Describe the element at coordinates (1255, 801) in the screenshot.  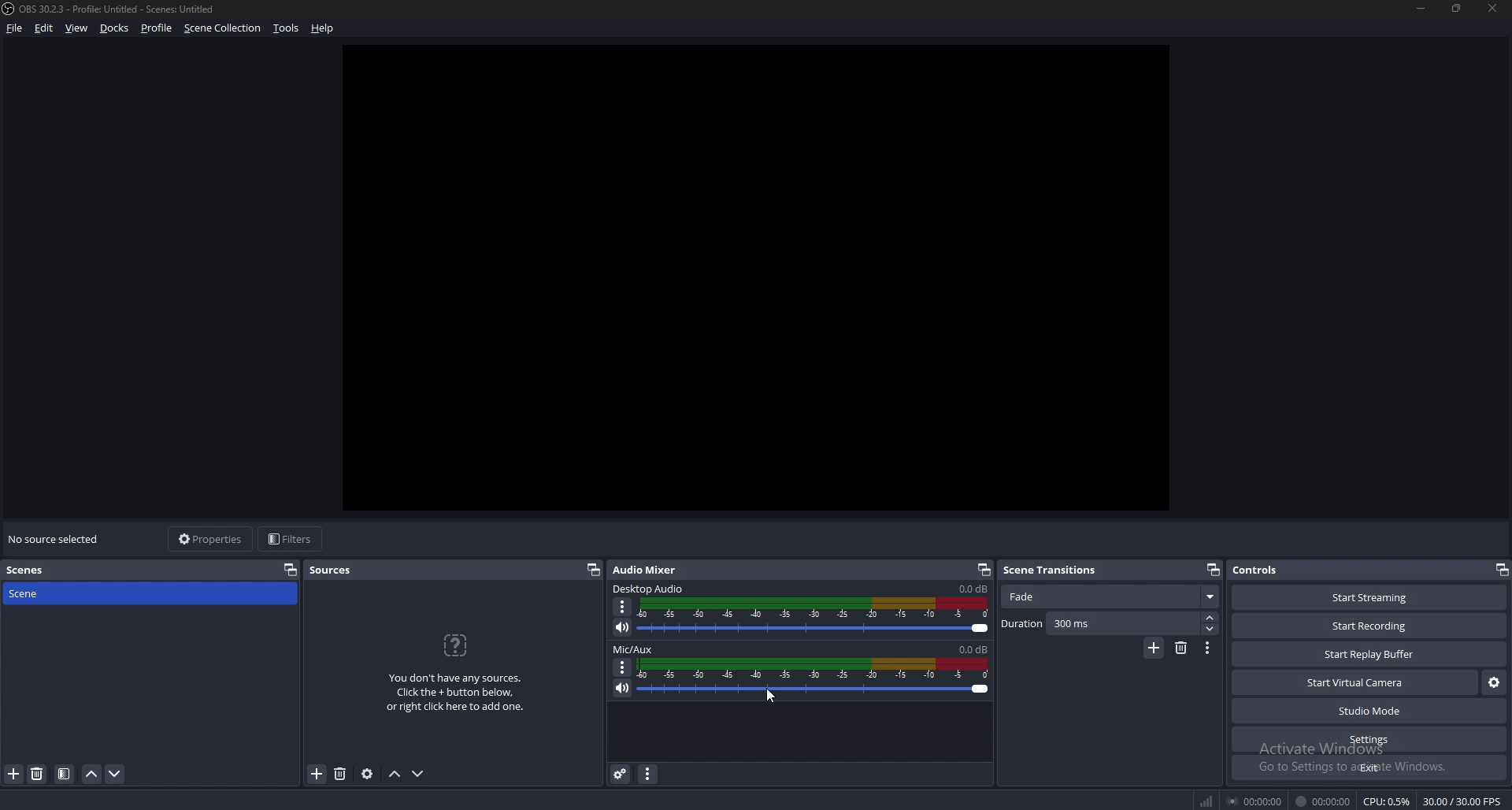
I see `00:00:00` at that location.